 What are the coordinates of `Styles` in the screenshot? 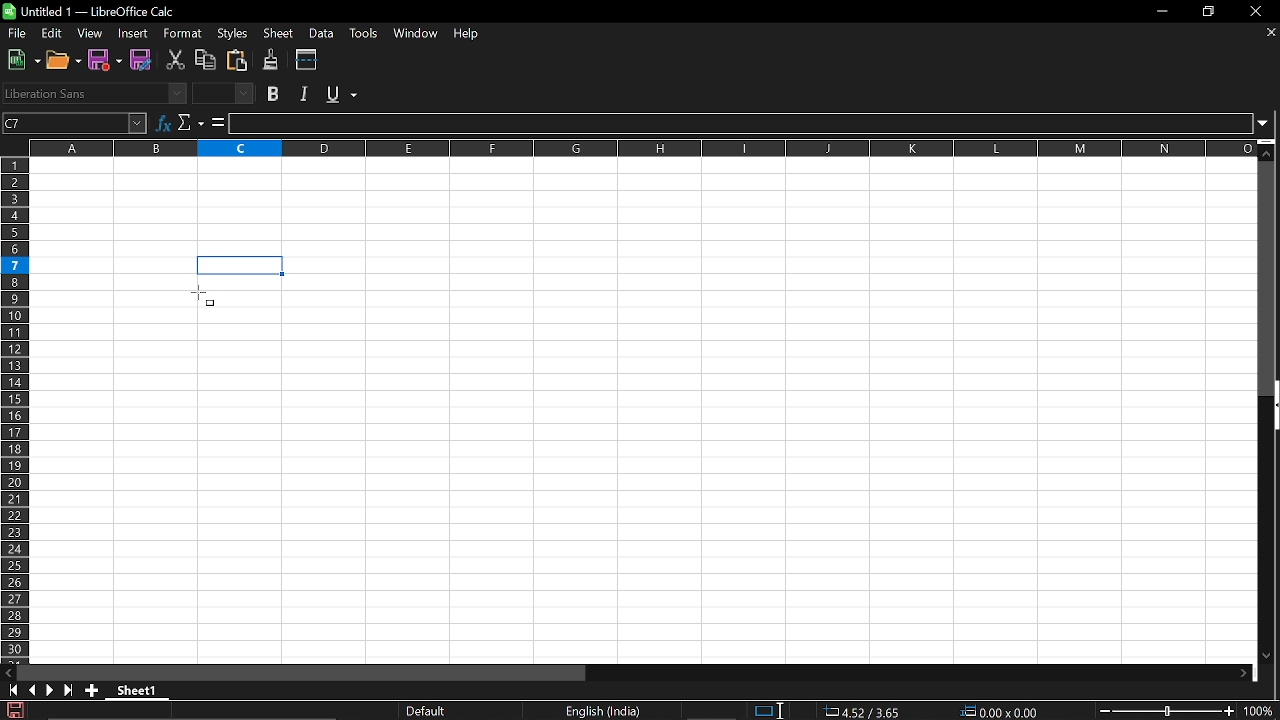 It's located at (235, 32).